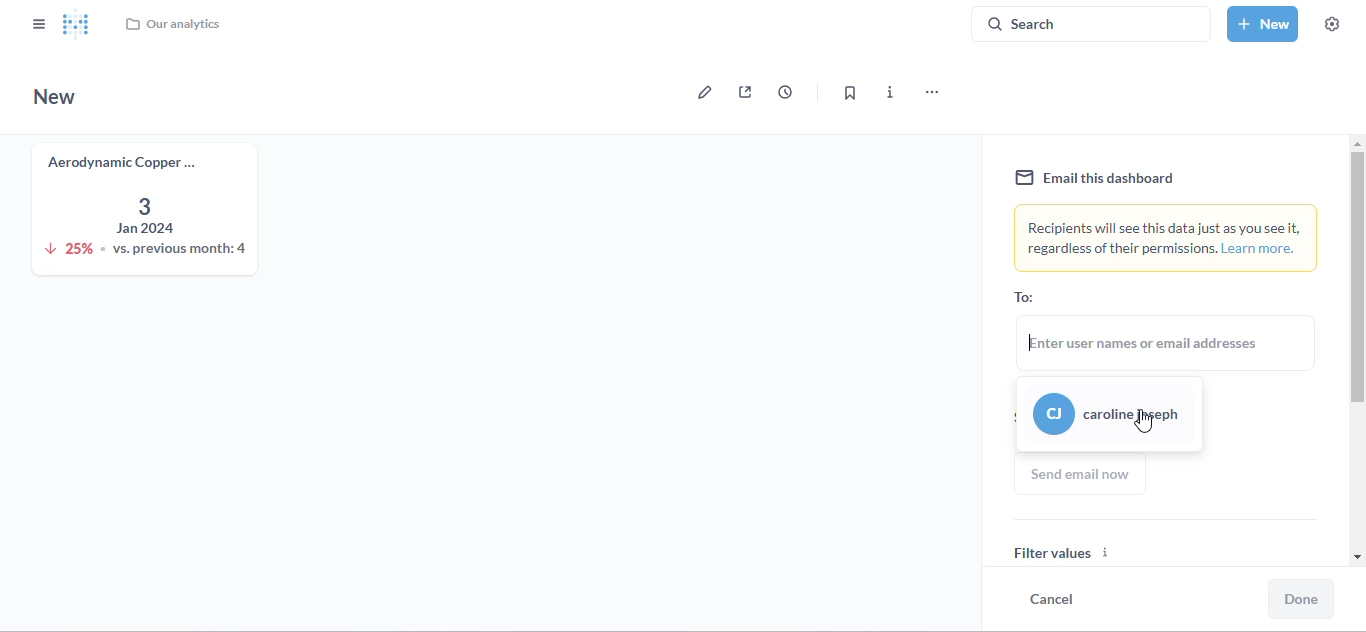 The width and height of the screenshot is (1366, 632). Describe the element at coordinates (39, 23) in the screenshot. I see `close sidebar` at that location.